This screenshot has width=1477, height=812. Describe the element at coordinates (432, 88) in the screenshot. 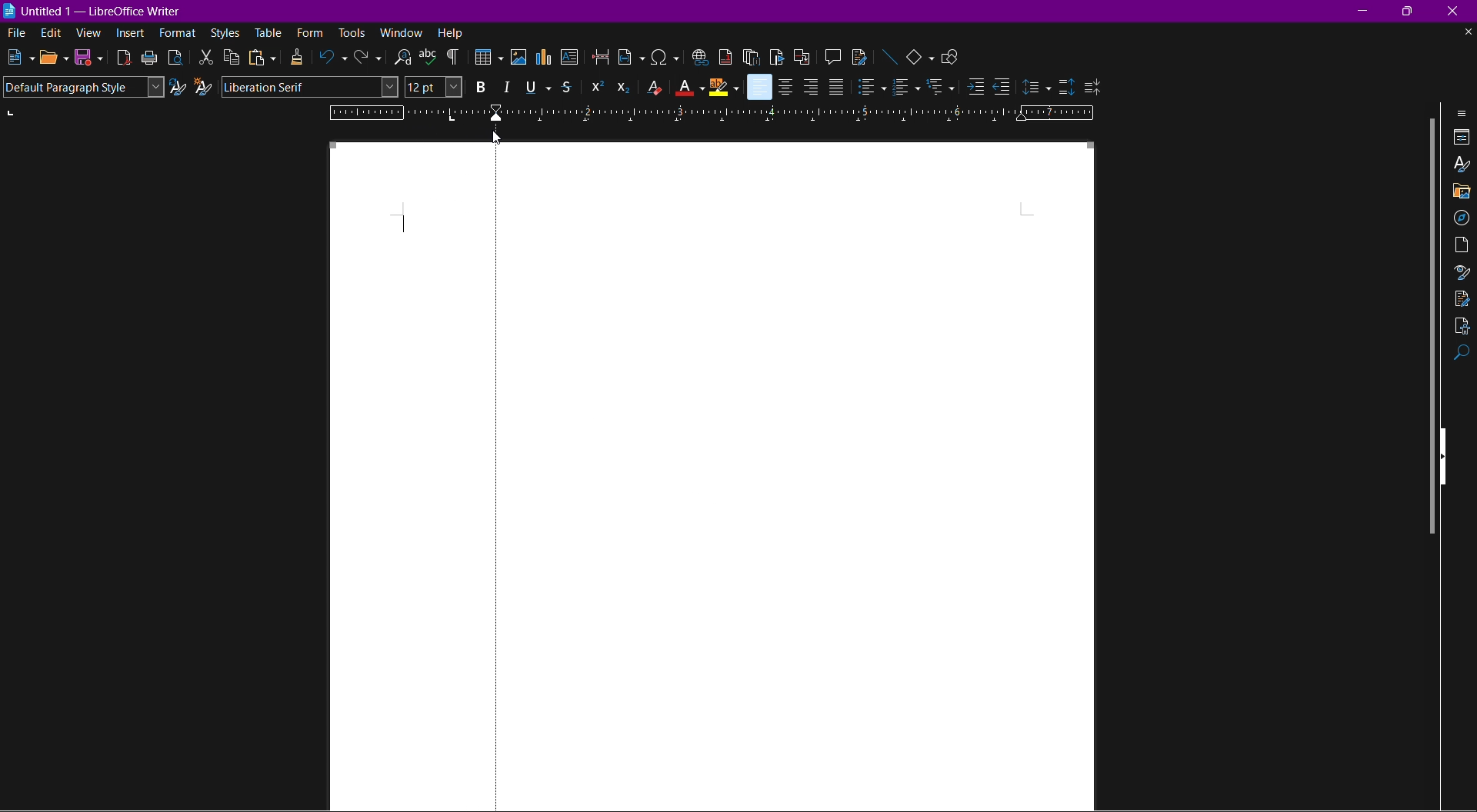

I see `Font size` at that location.